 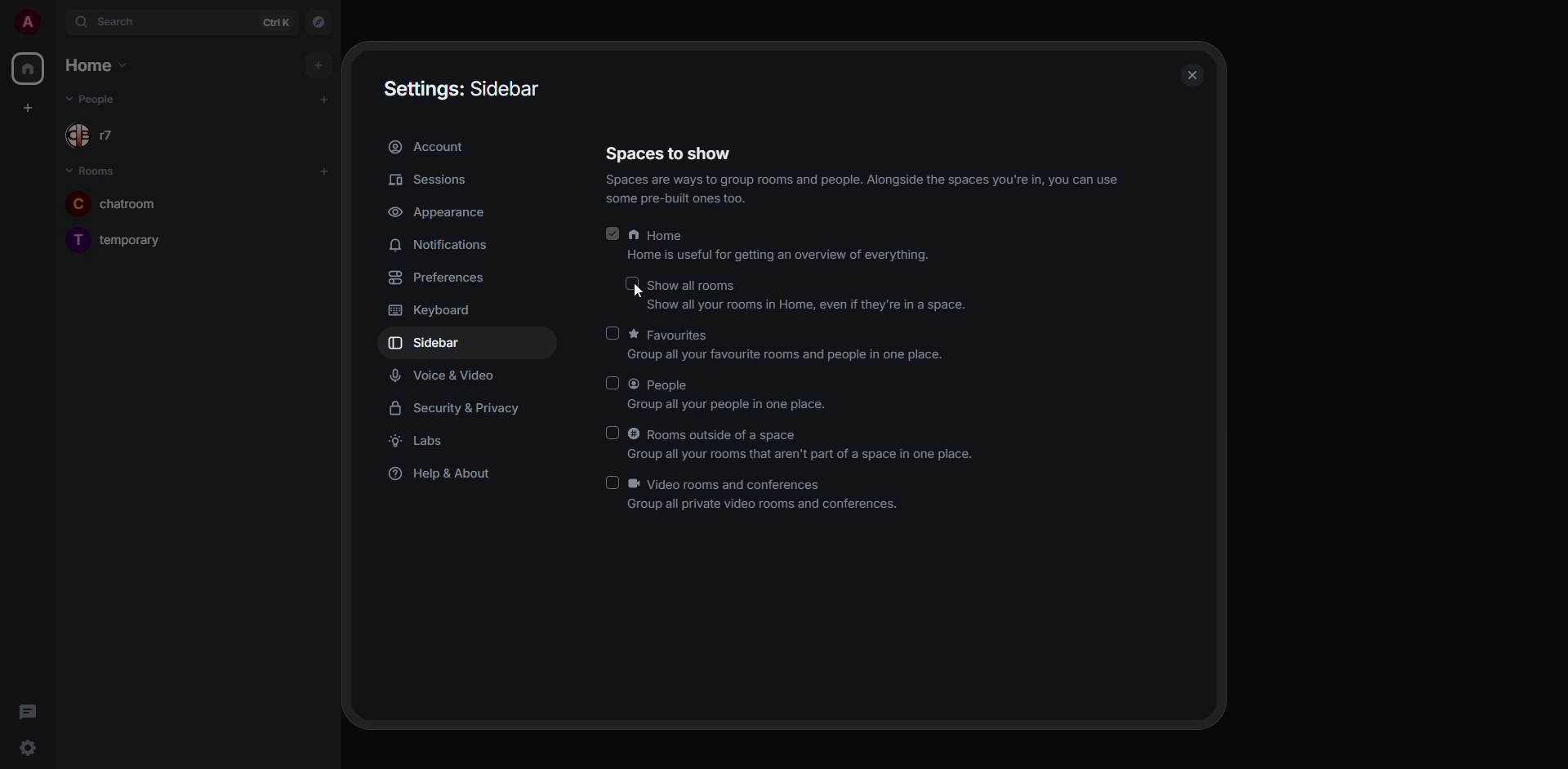 What do you see at coordinates (431, 344) in the screenshot?
I see `sidebar` at bounding box center [431, 344].